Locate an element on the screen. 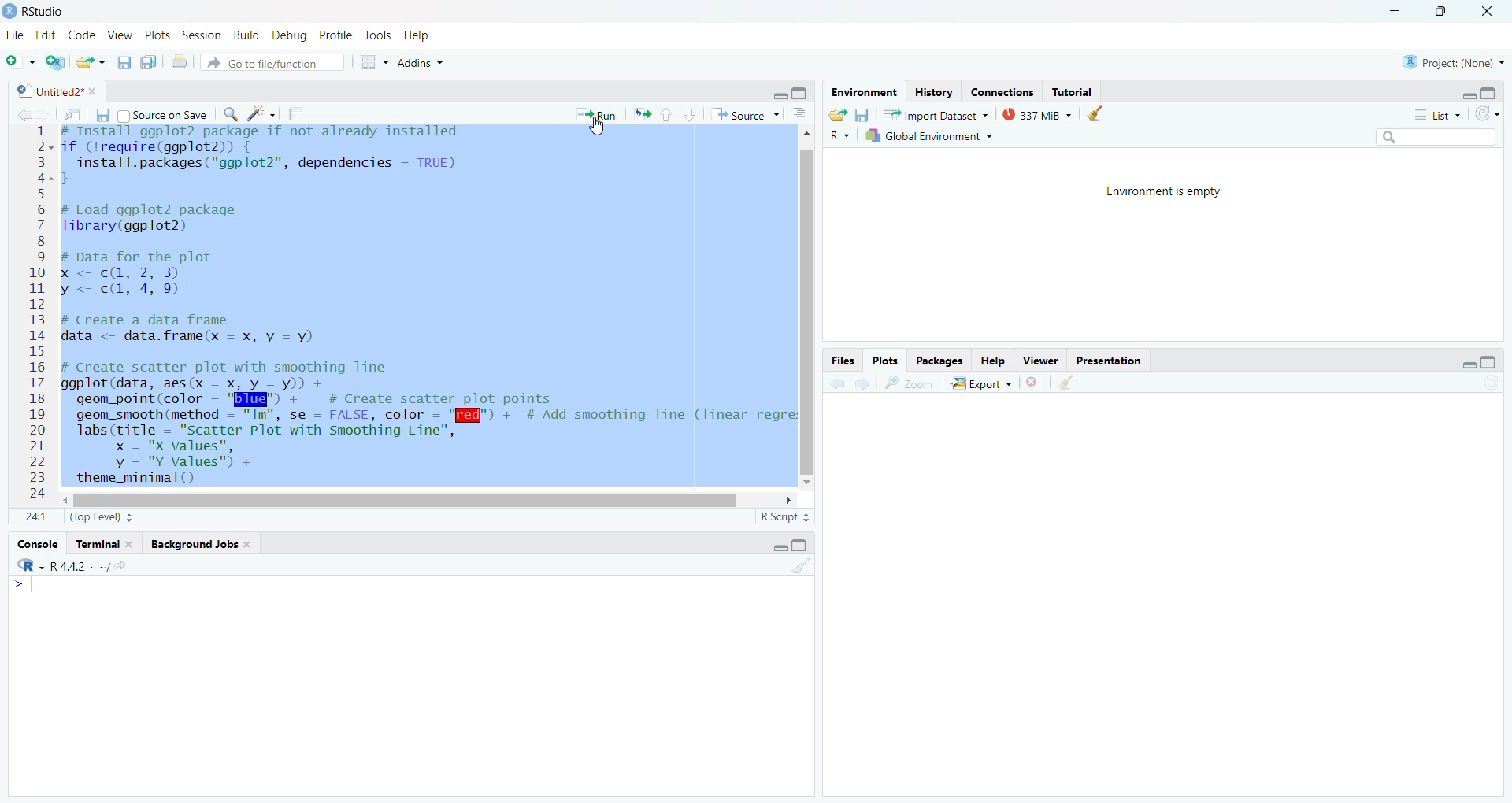  Source on Save is located at coordinates (161, 117).